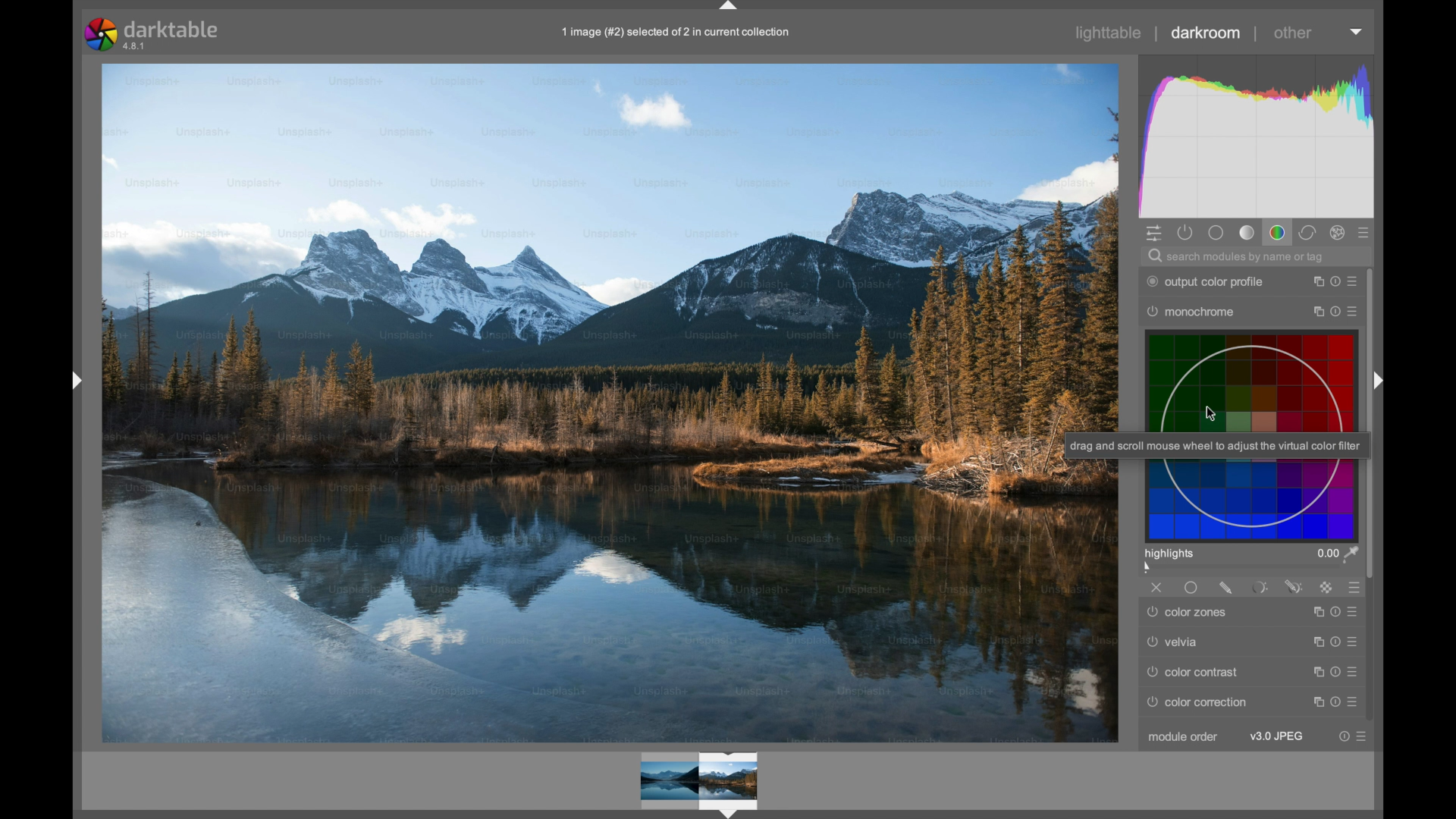 Image resolution: width=1456 pixels, height=819 pixels. What do you see at coordinates (1357, 311) in the screenshot?
I see `presets` at bounding box center [1357, 311].